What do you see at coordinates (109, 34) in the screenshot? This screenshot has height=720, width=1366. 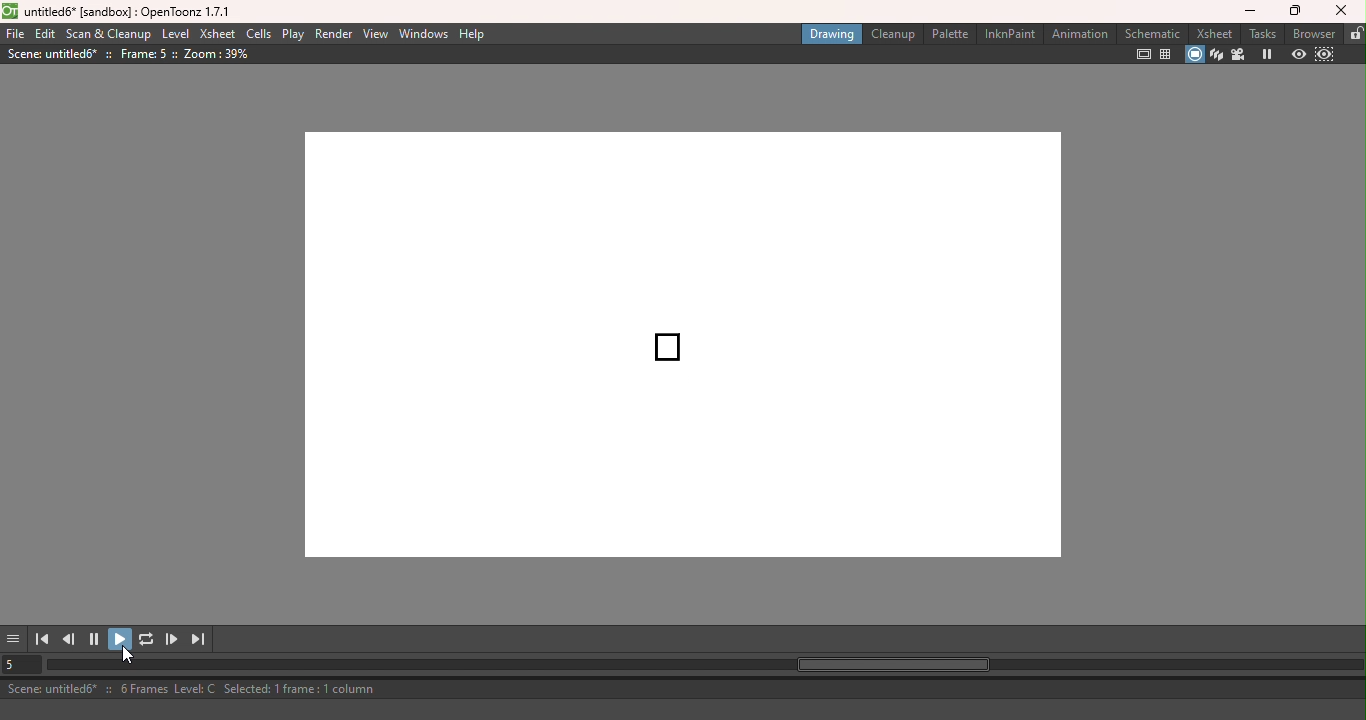 I see `Scan & Cleanup` at bounding box center [109, 34].